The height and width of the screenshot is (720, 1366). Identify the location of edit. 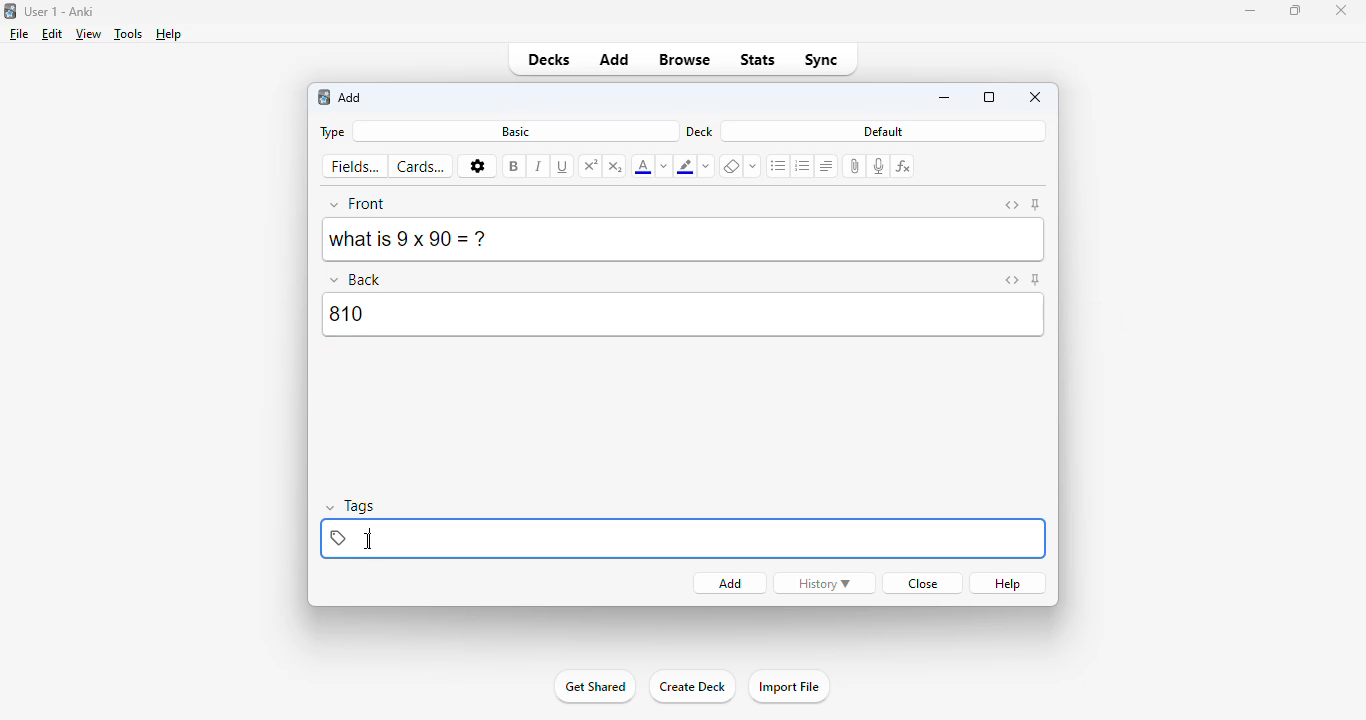
(52, 34).